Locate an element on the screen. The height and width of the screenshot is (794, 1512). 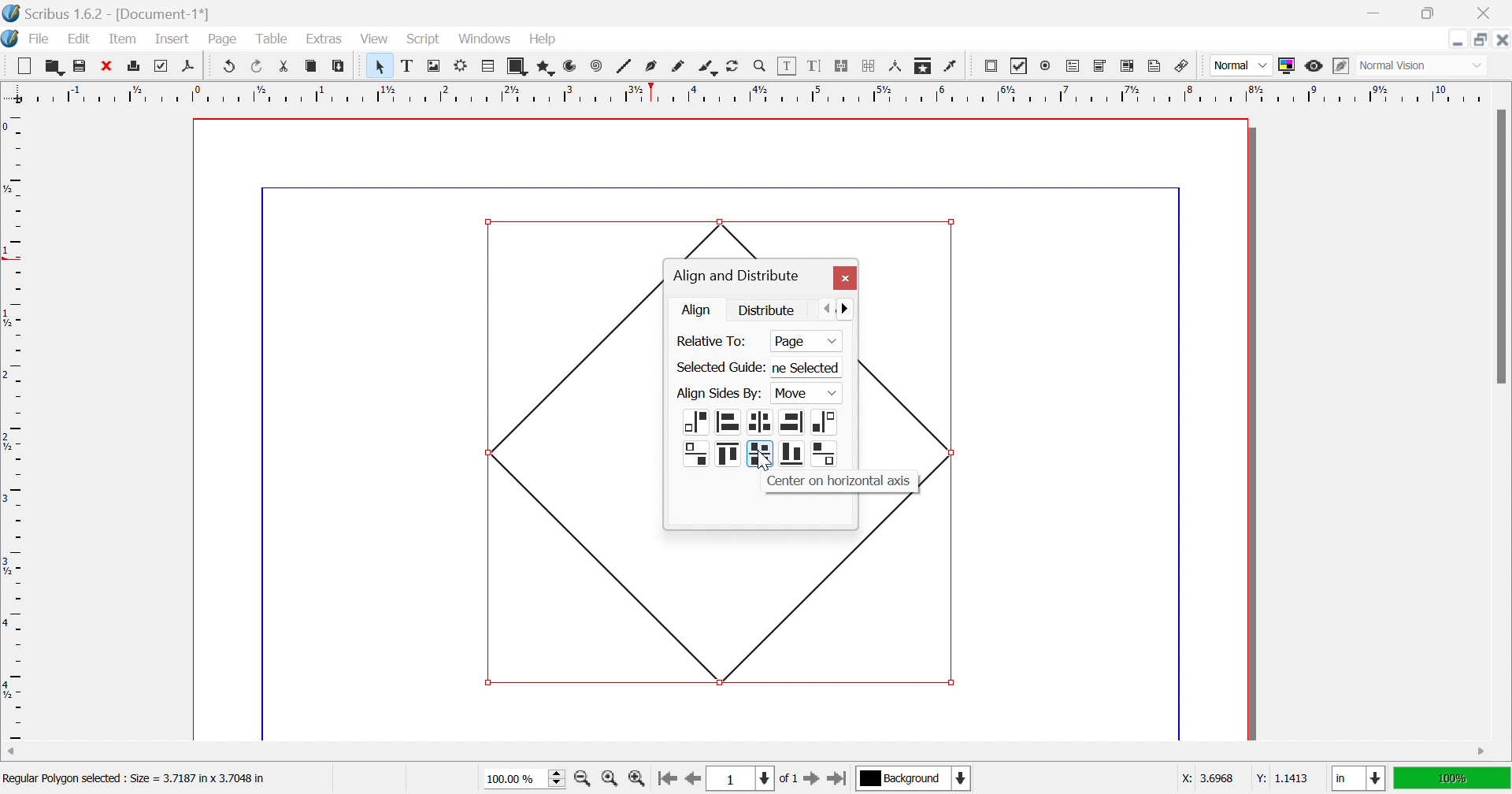
Align and distribute is located at coordinates (736, 276).